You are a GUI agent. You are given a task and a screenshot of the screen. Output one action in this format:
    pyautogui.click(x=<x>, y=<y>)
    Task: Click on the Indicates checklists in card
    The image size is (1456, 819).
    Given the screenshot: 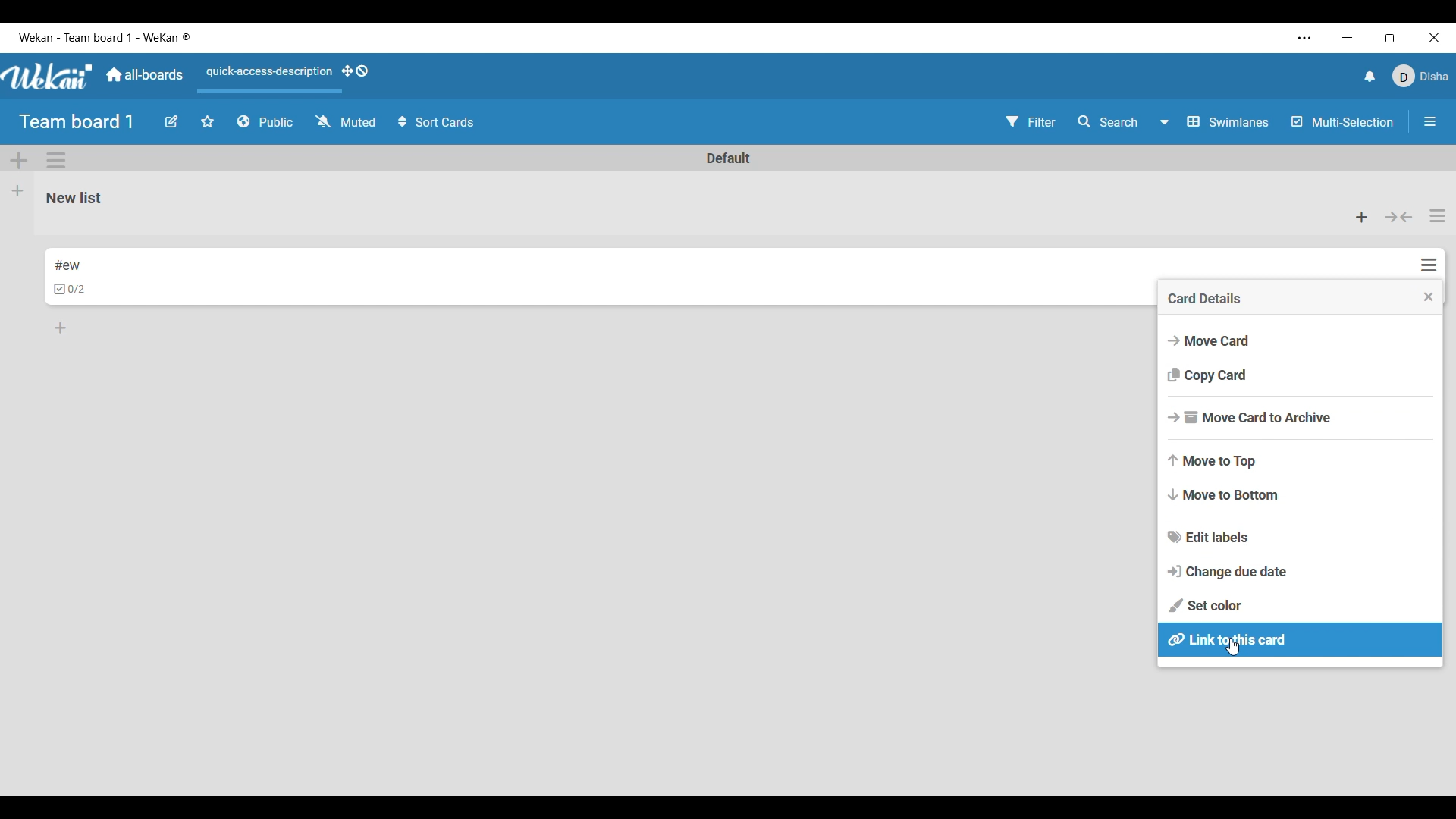 What is the action you would take?
    pyautogui.click(x=70, y=289)
    